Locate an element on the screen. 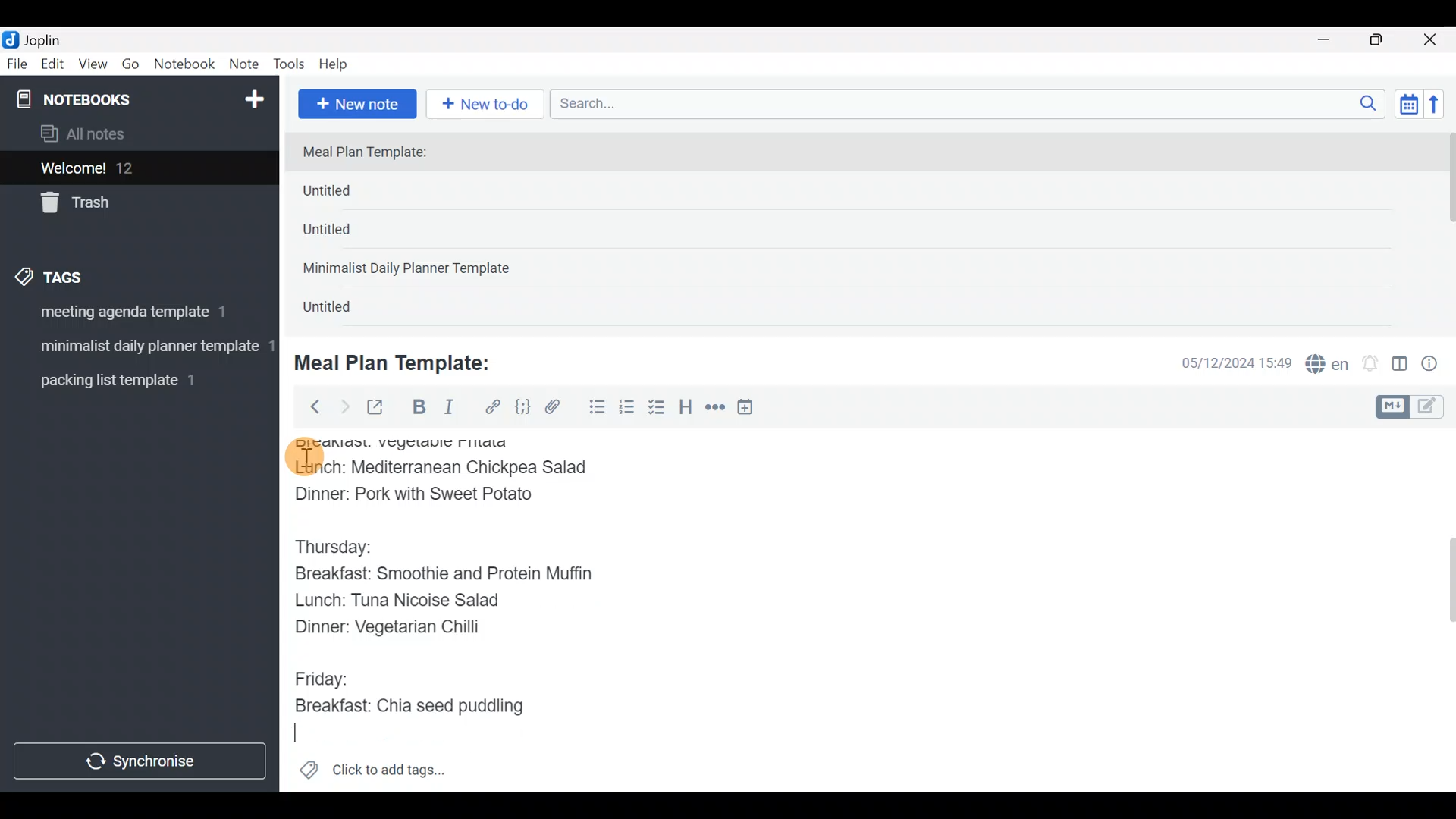  Checkbox is located at coordinates (658, 409).